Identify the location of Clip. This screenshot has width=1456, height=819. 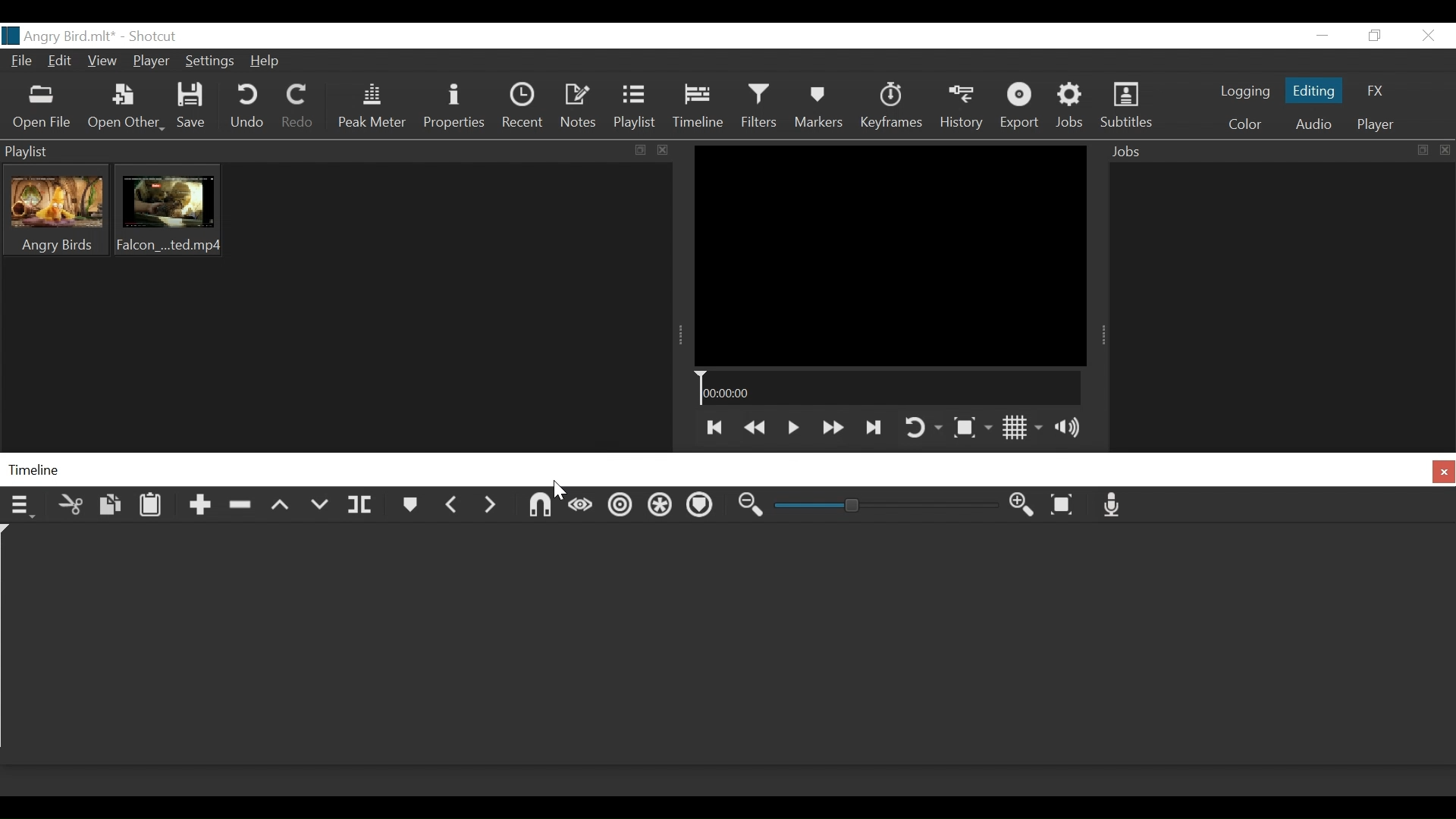
(168, 210).